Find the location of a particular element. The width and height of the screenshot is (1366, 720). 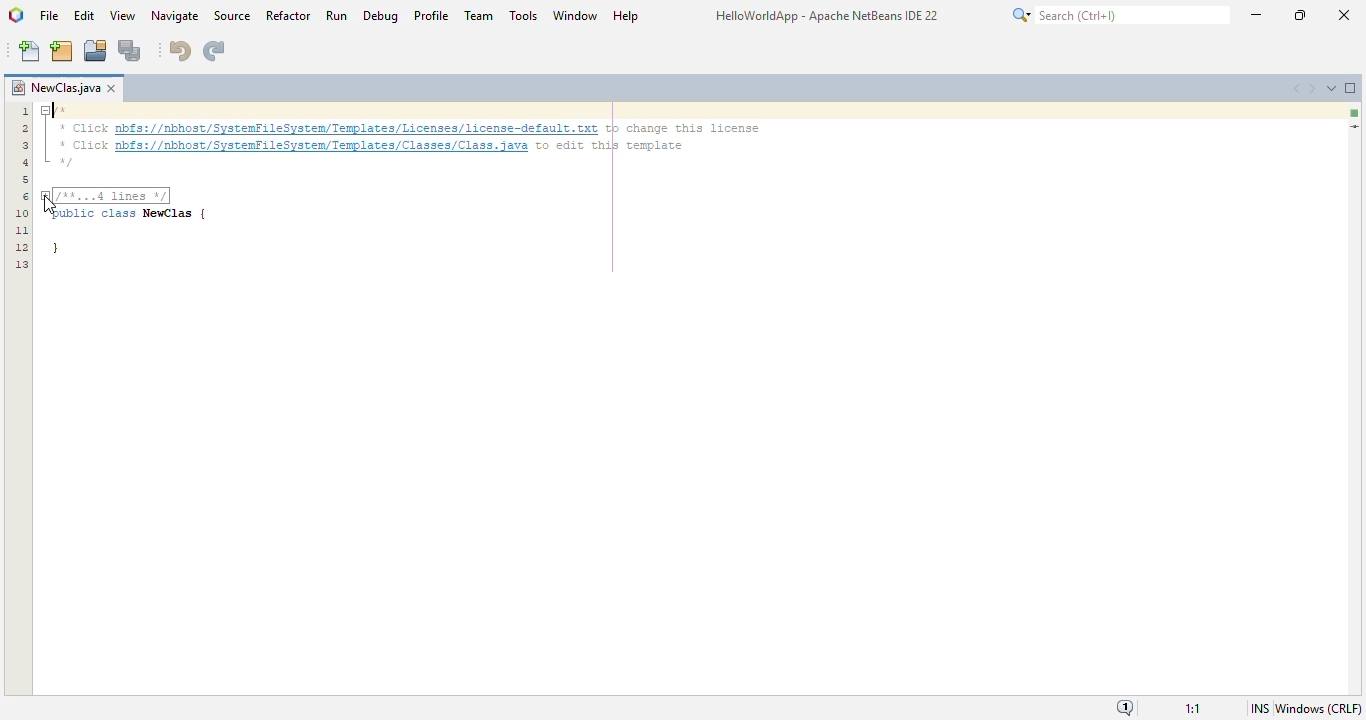

no errors is located at coordinates (1355, 113).